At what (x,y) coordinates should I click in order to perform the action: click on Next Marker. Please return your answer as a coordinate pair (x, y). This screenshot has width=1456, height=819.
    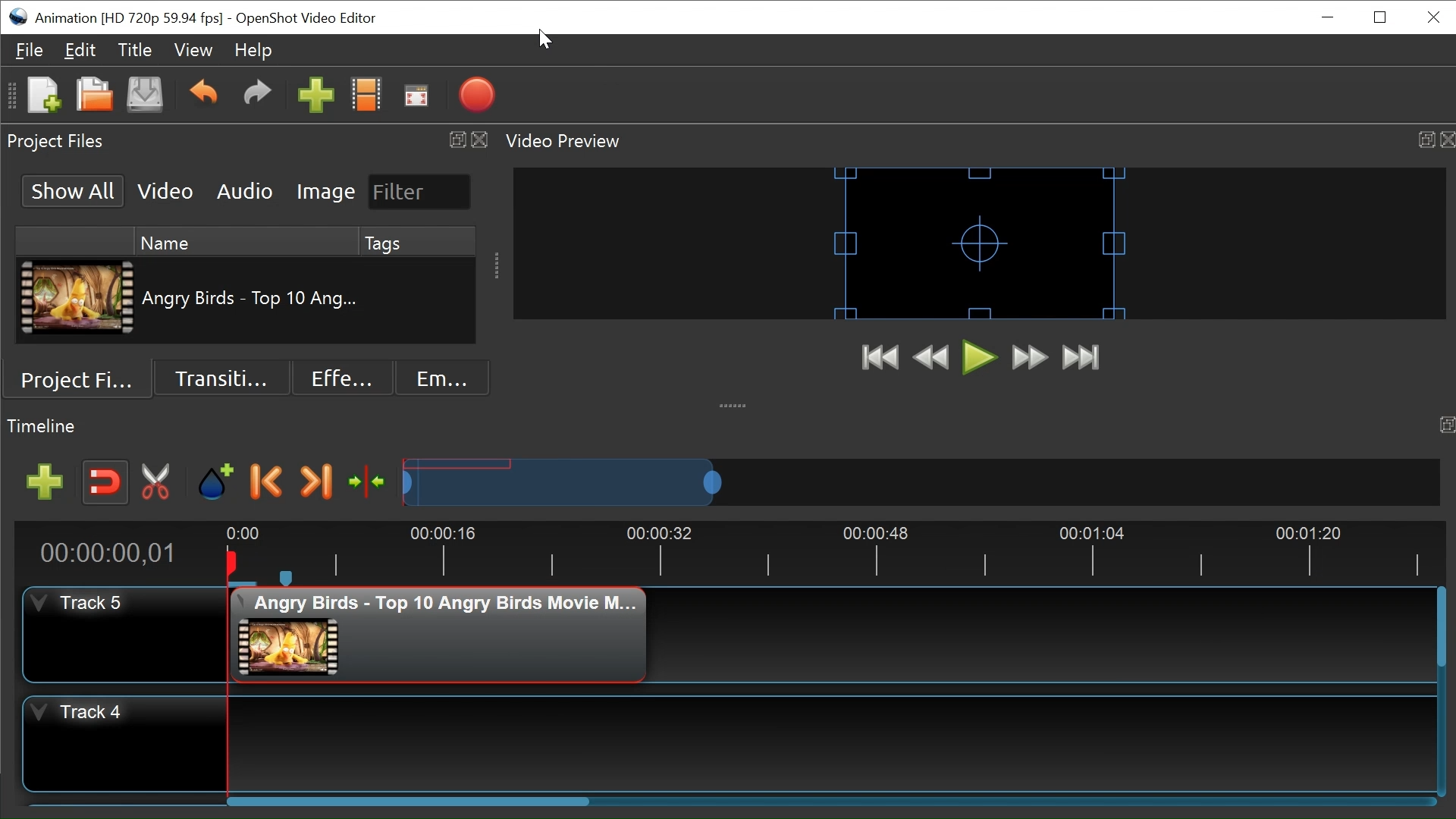
    Looking at the image, I should click on (316, 482).